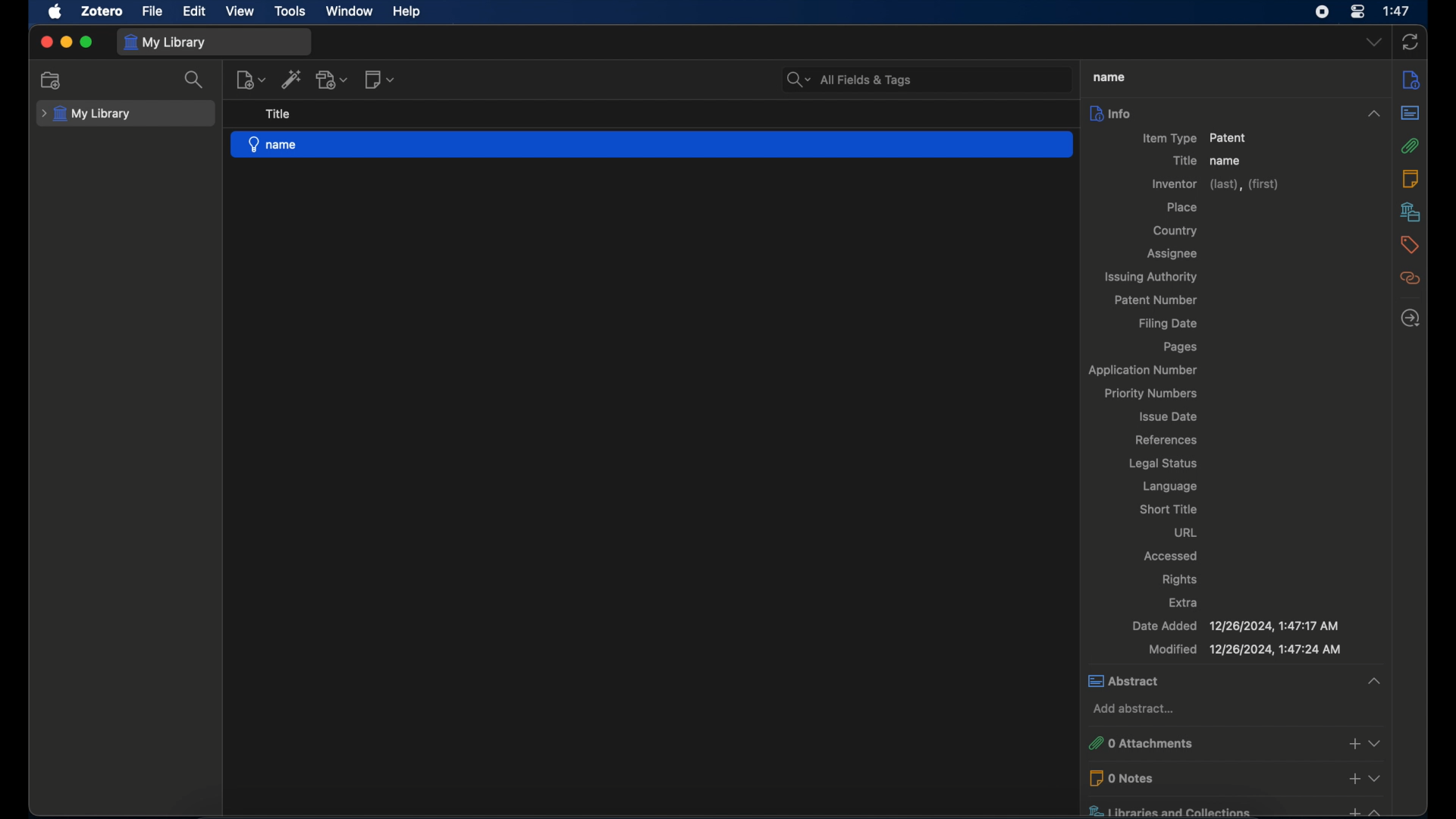 The height and width of the screenshot is (819, 1456). I want to click on zotero, so click(101, 11).